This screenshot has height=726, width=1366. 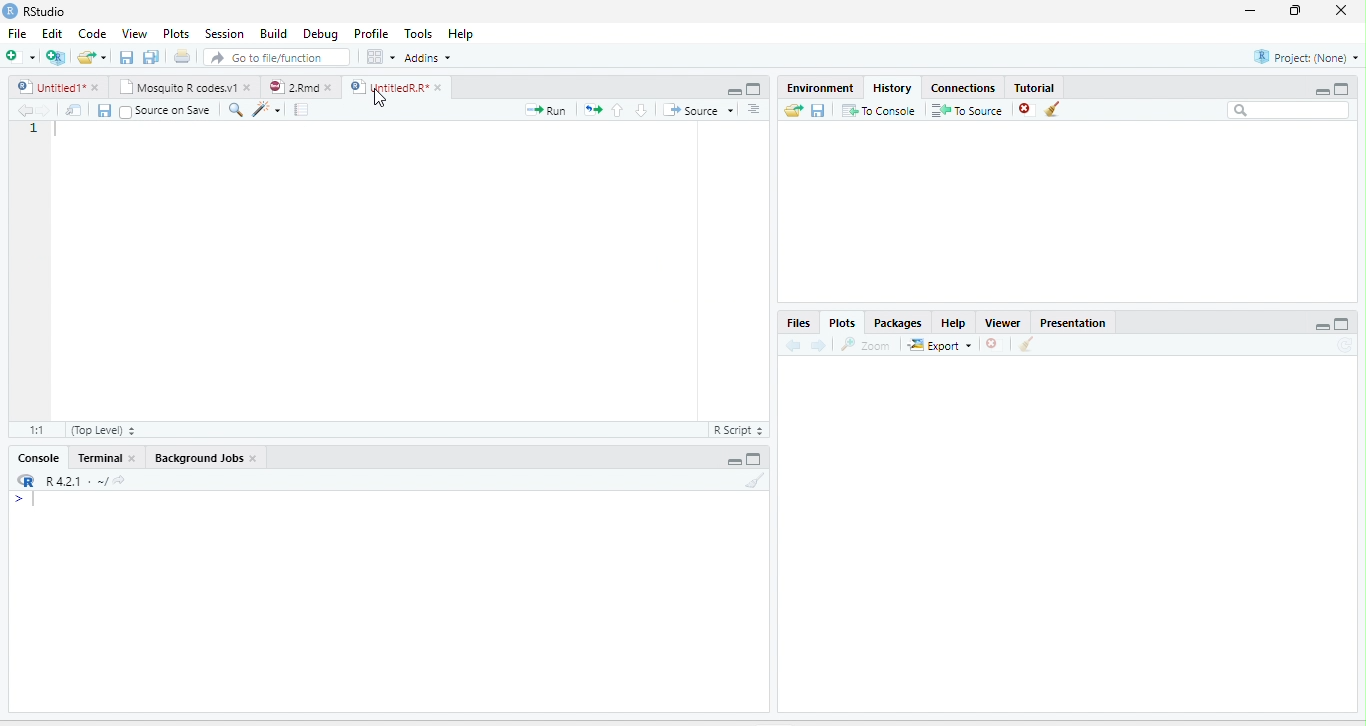 What do you see at coordinates (126, 56) in the screenshot?
I see `Save current document` at bounding box center [126, 56].